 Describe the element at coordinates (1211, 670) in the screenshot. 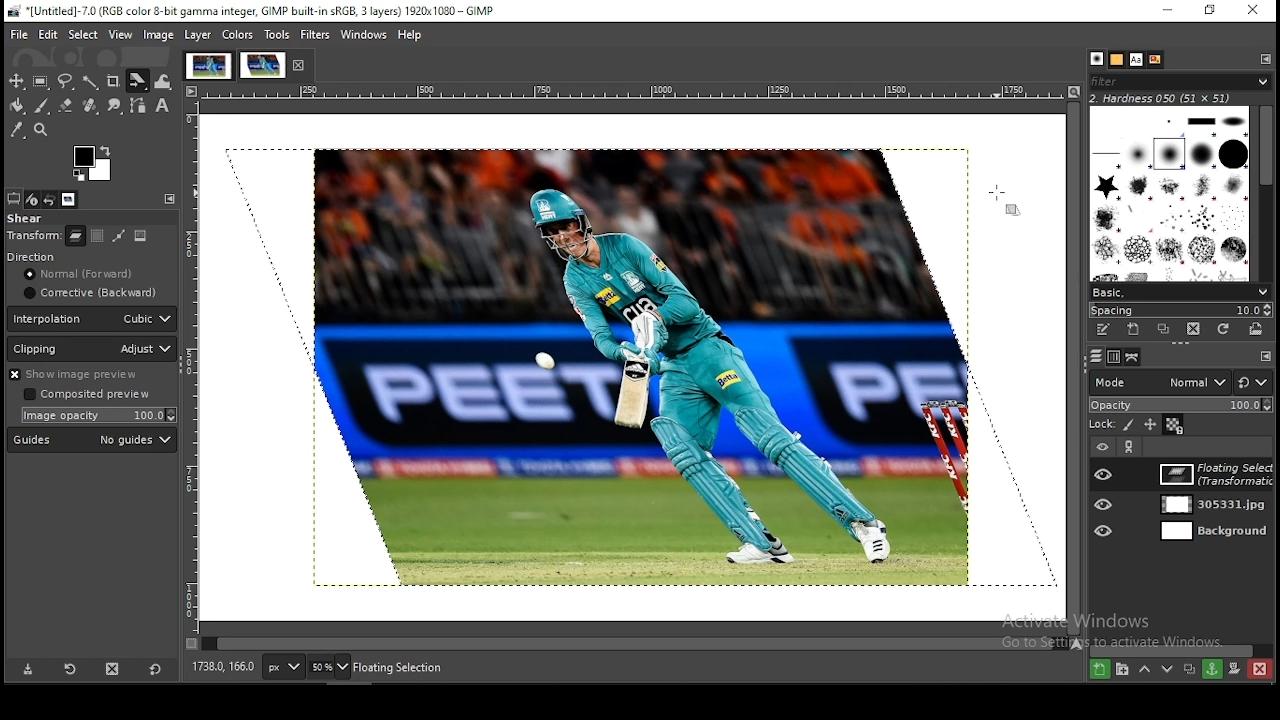

I see `merge layers` at that location.